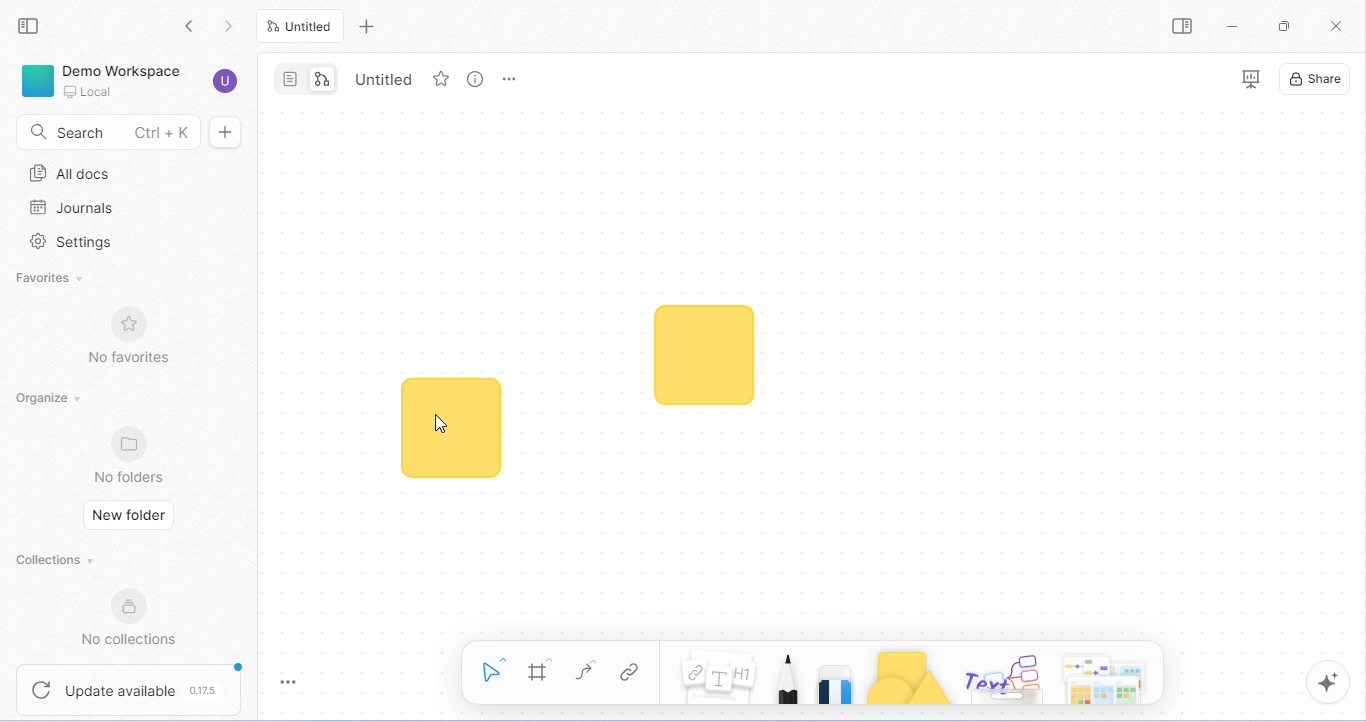  What do you see at coordinates (290, 78) in the screenshot?
I see `page mode` at bounding box center [290, 78].